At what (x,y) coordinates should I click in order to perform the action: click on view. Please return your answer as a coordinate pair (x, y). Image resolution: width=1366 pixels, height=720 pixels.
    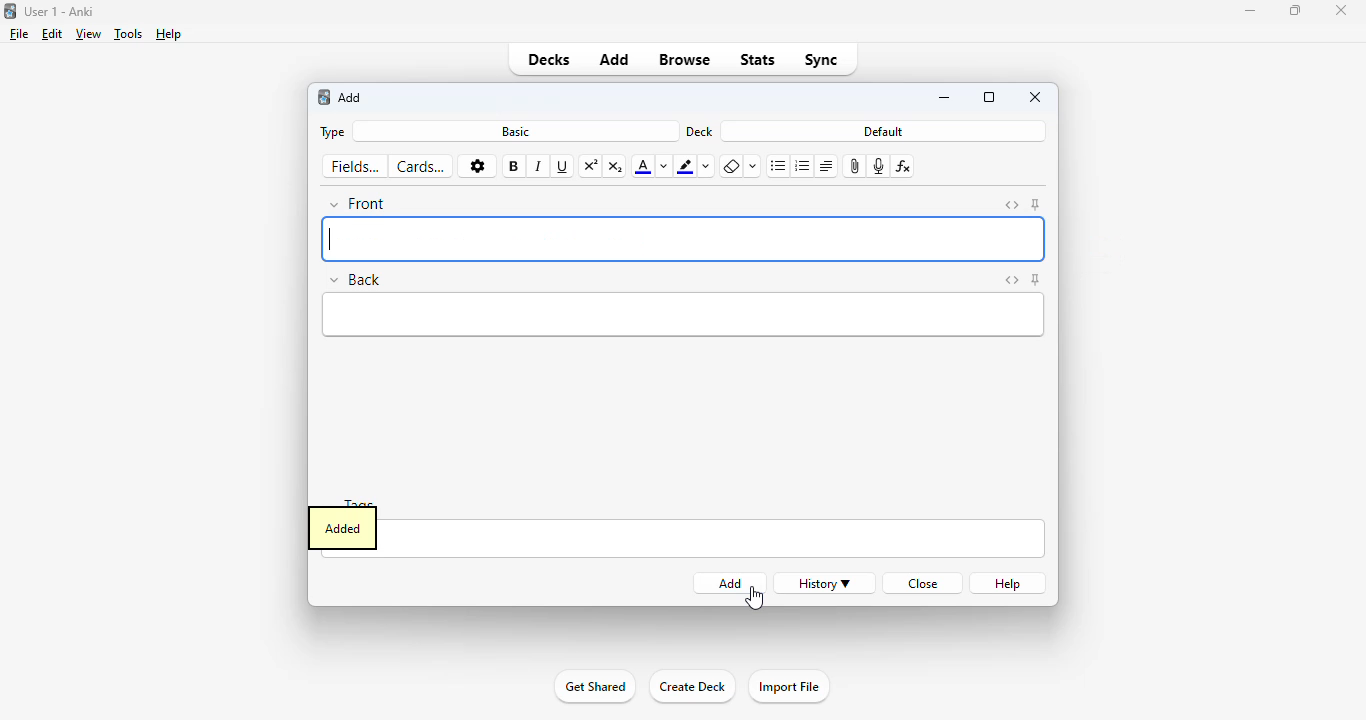
    Looking at the image, I should click on (89, 34).